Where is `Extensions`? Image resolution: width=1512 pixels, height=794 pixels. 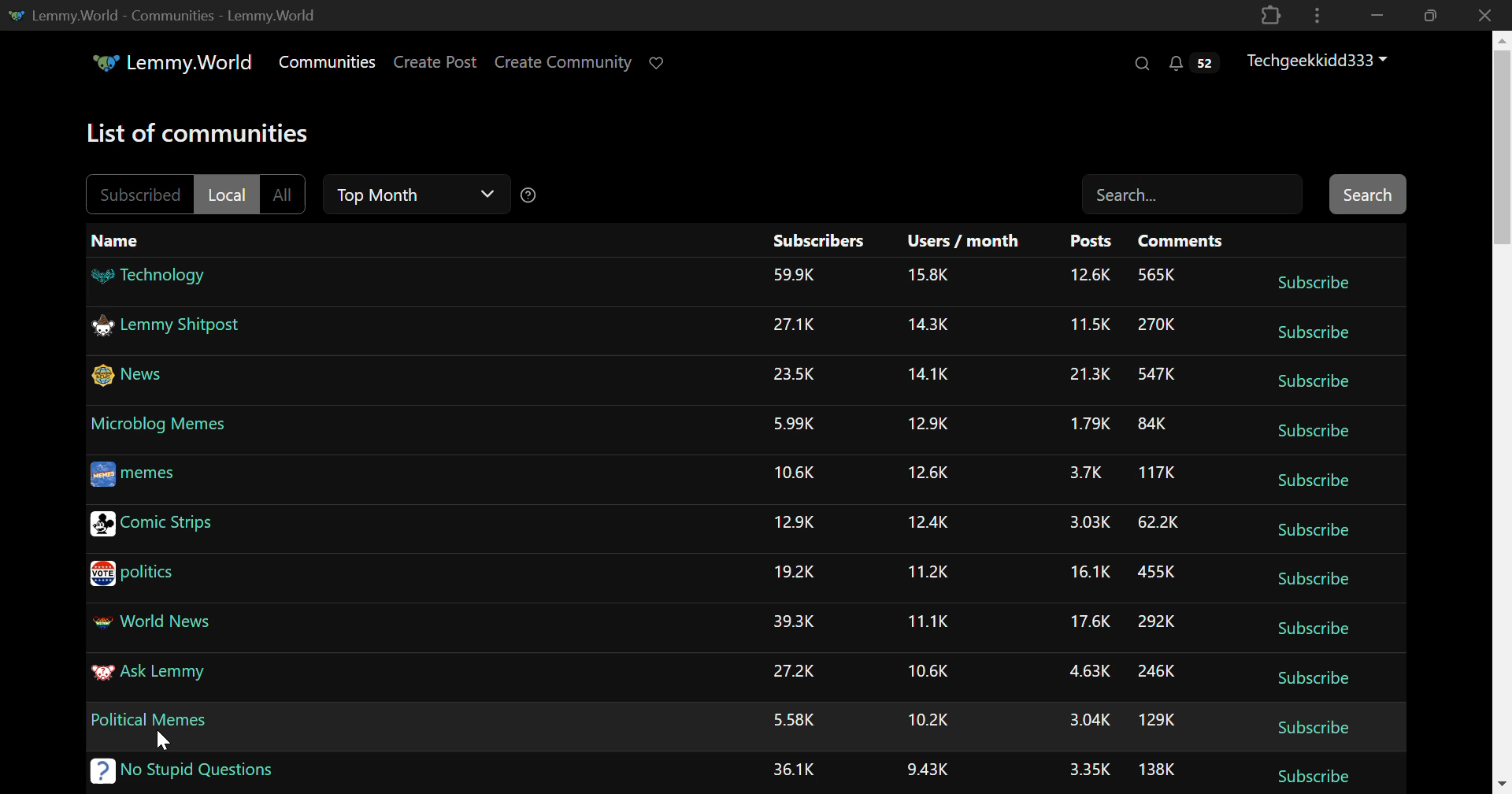
Extensions is located at coordinates (1272, 14).